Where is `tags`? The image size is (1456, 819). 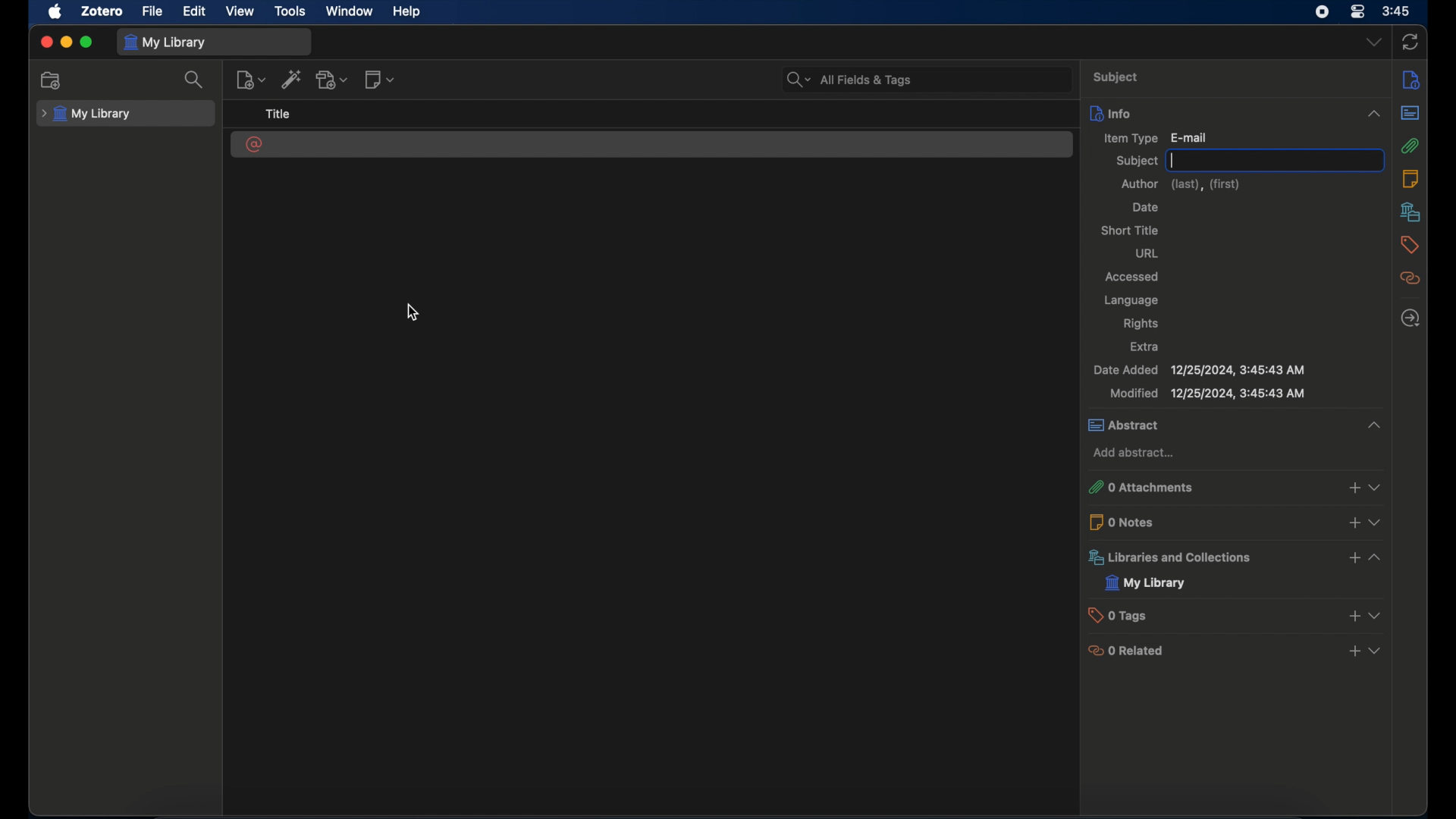
tags is located at coordinates (1410, 245).